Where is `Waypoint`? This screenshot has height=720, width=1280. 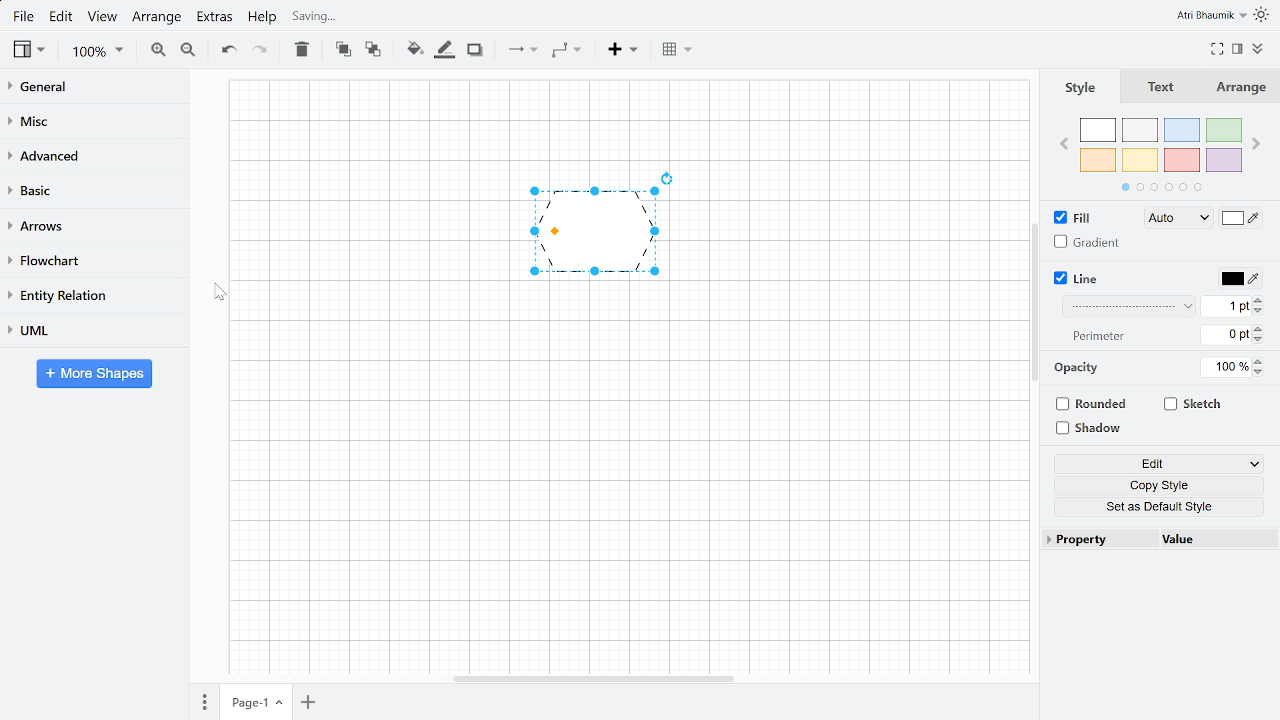 Waypoint is located at coordinates (566, 51).